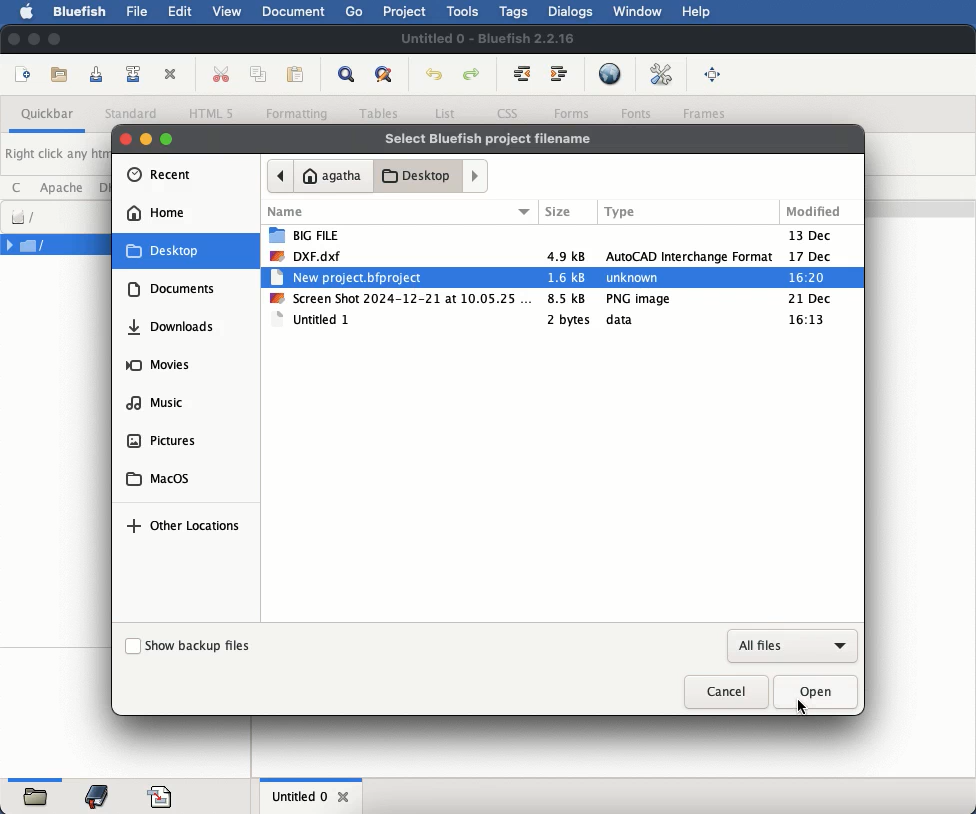 This screenshot has width=976, height=814. What do you see at coordinates (488, 139) in the screenshot?
I see `select bluefish project filename` at bounding box center [488, 139].